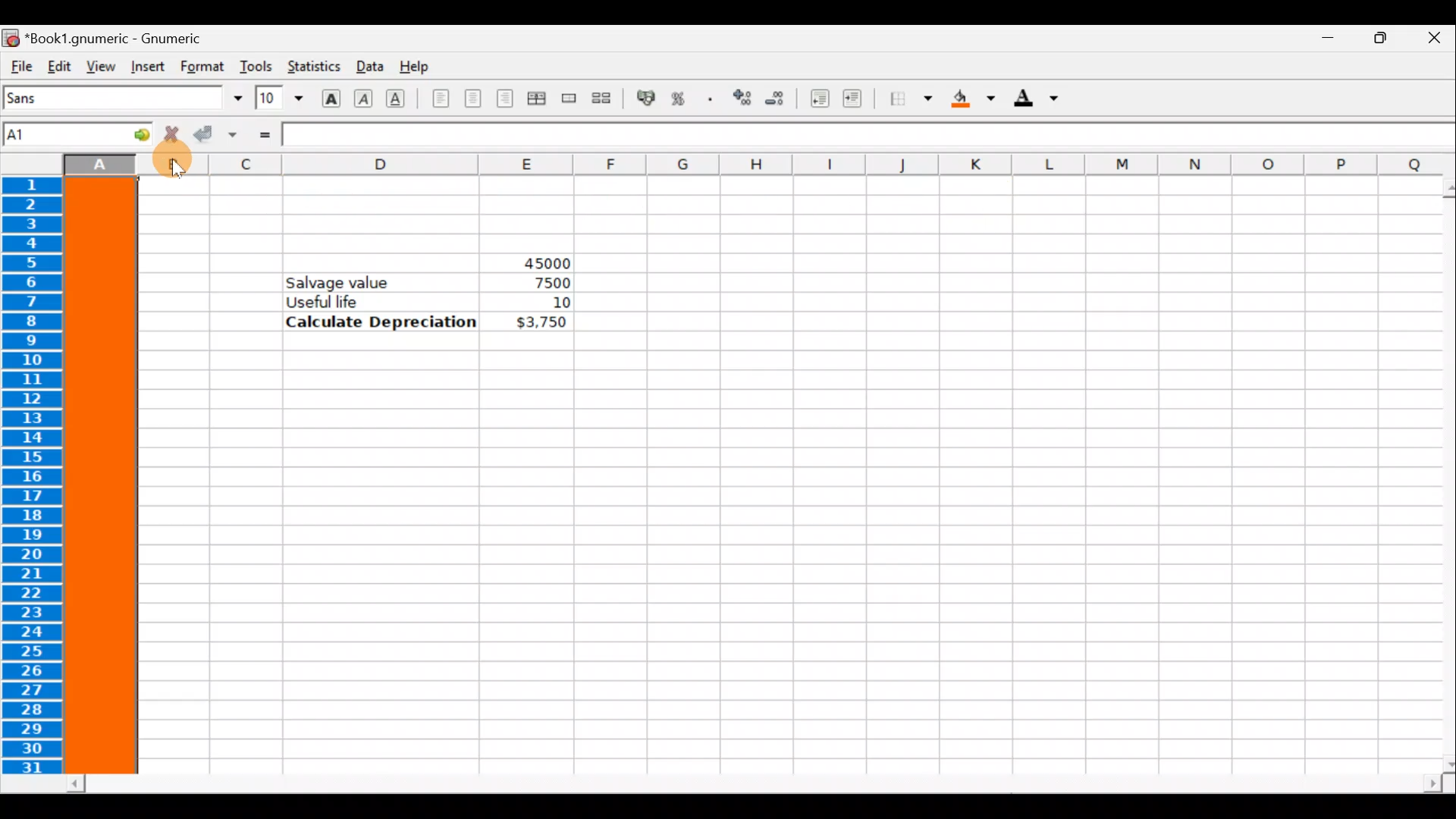 This screenshot has width=1456, height=819. Describe the element at coordinates (815, 99) in the screenshot. I see `Decrease indent, align contents to the left` at that location.